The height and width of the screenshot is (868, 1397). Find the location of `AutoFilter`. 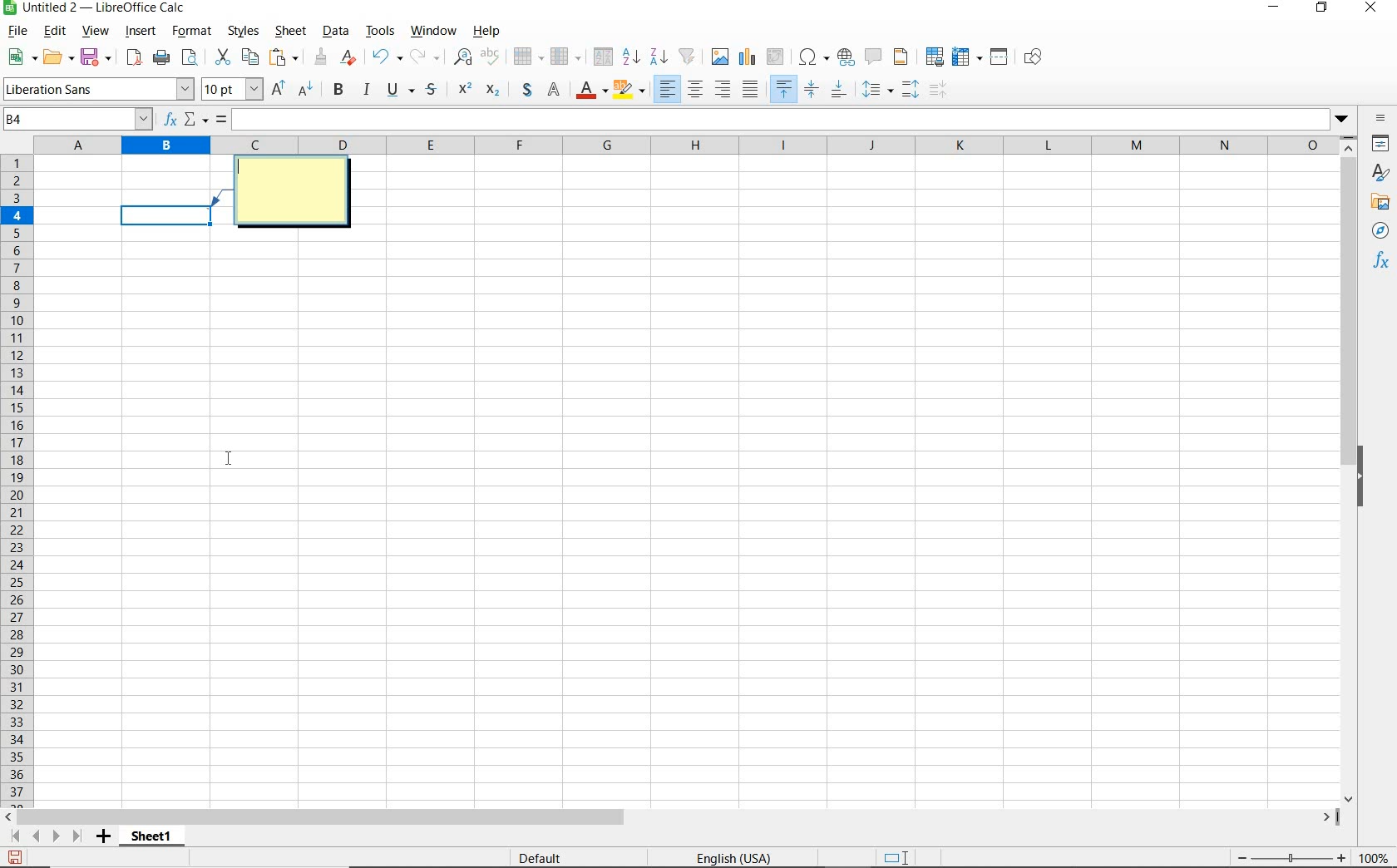

AutoFilter is located at coordinates (689, 57).